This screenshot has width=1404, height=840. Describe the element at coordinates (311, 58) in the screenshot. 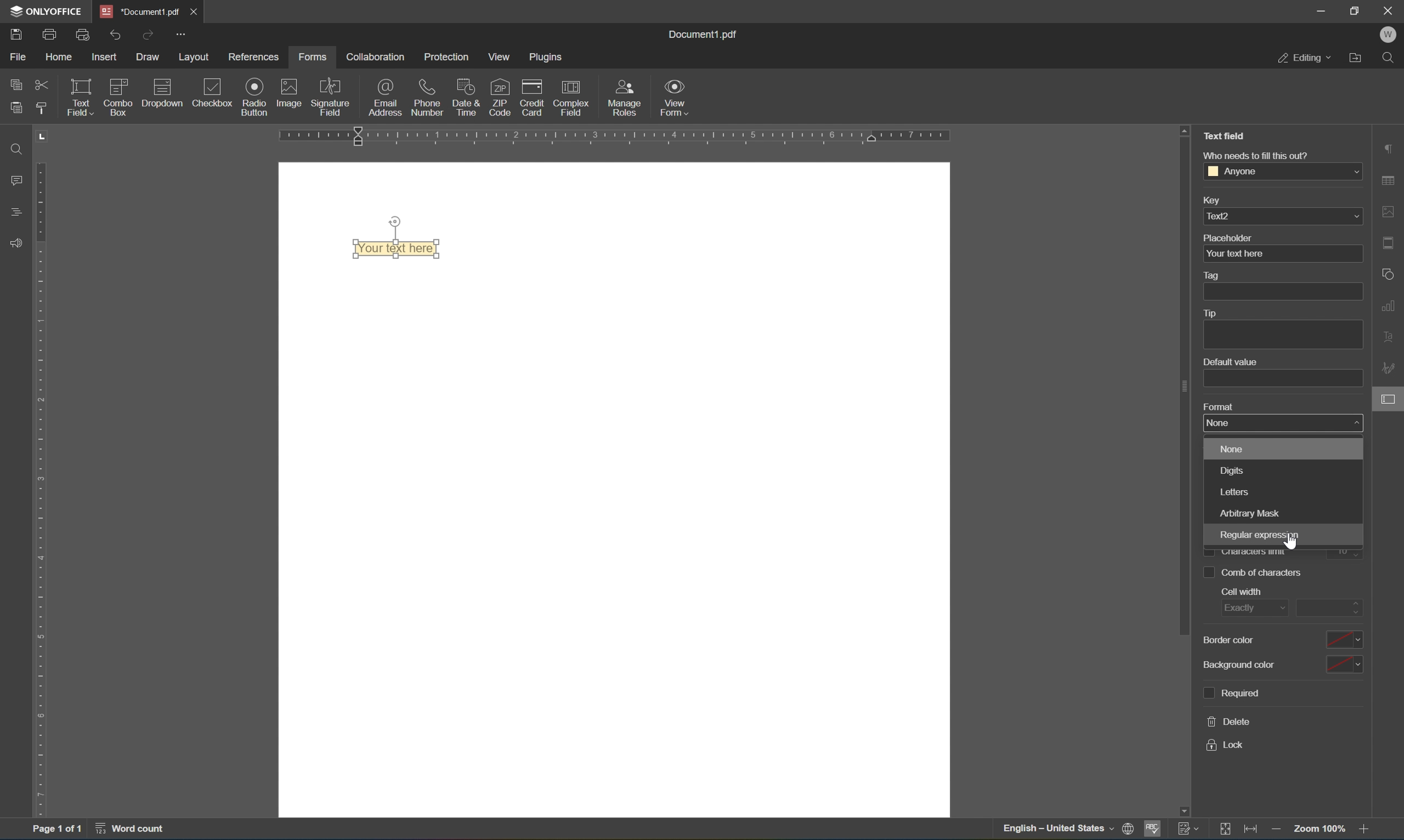

I see `forms` at that location.